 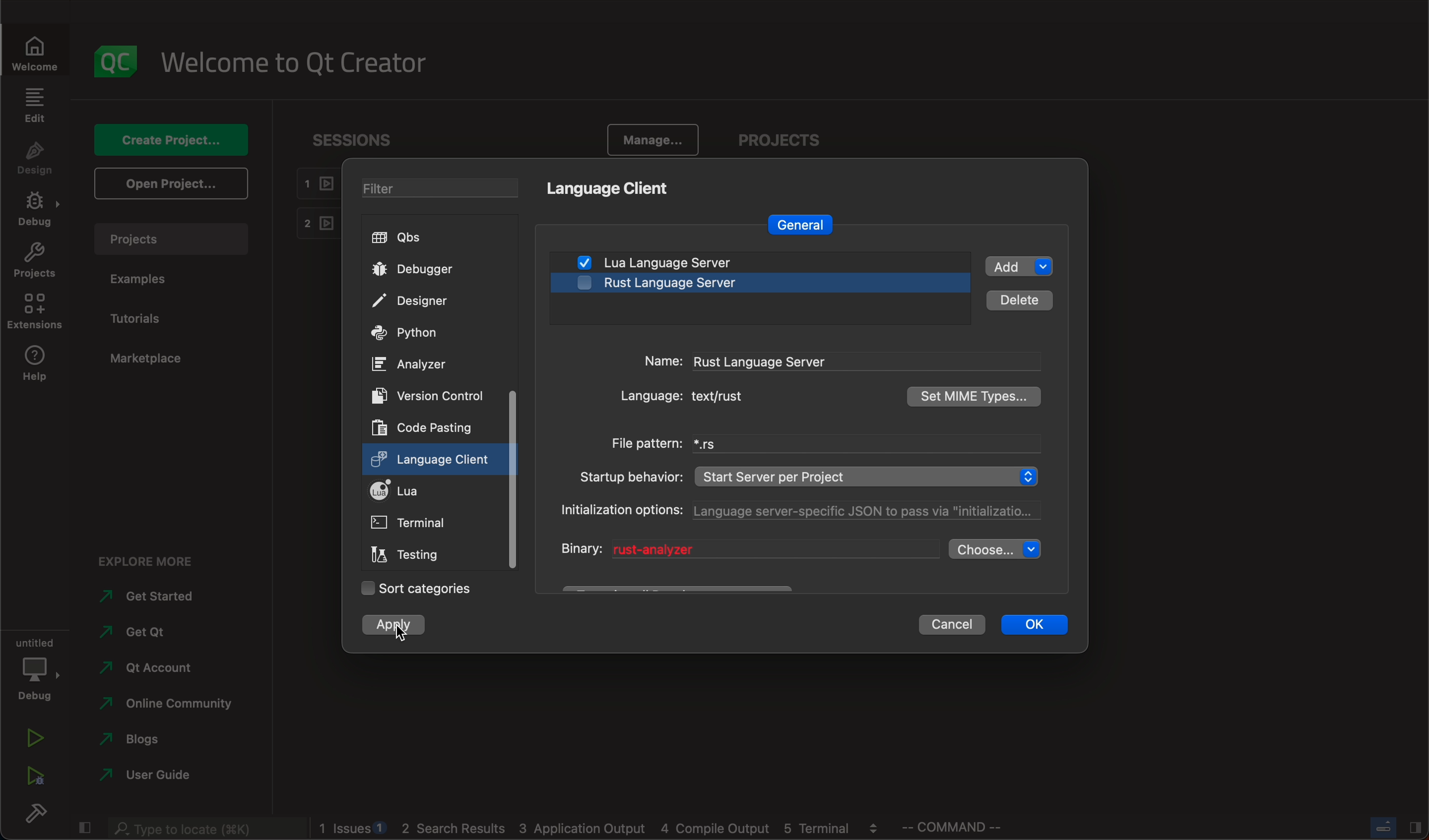 What do you see at coordinates (425, 427) in the screenshot?
I see `code` at bounding box center [425, 427].